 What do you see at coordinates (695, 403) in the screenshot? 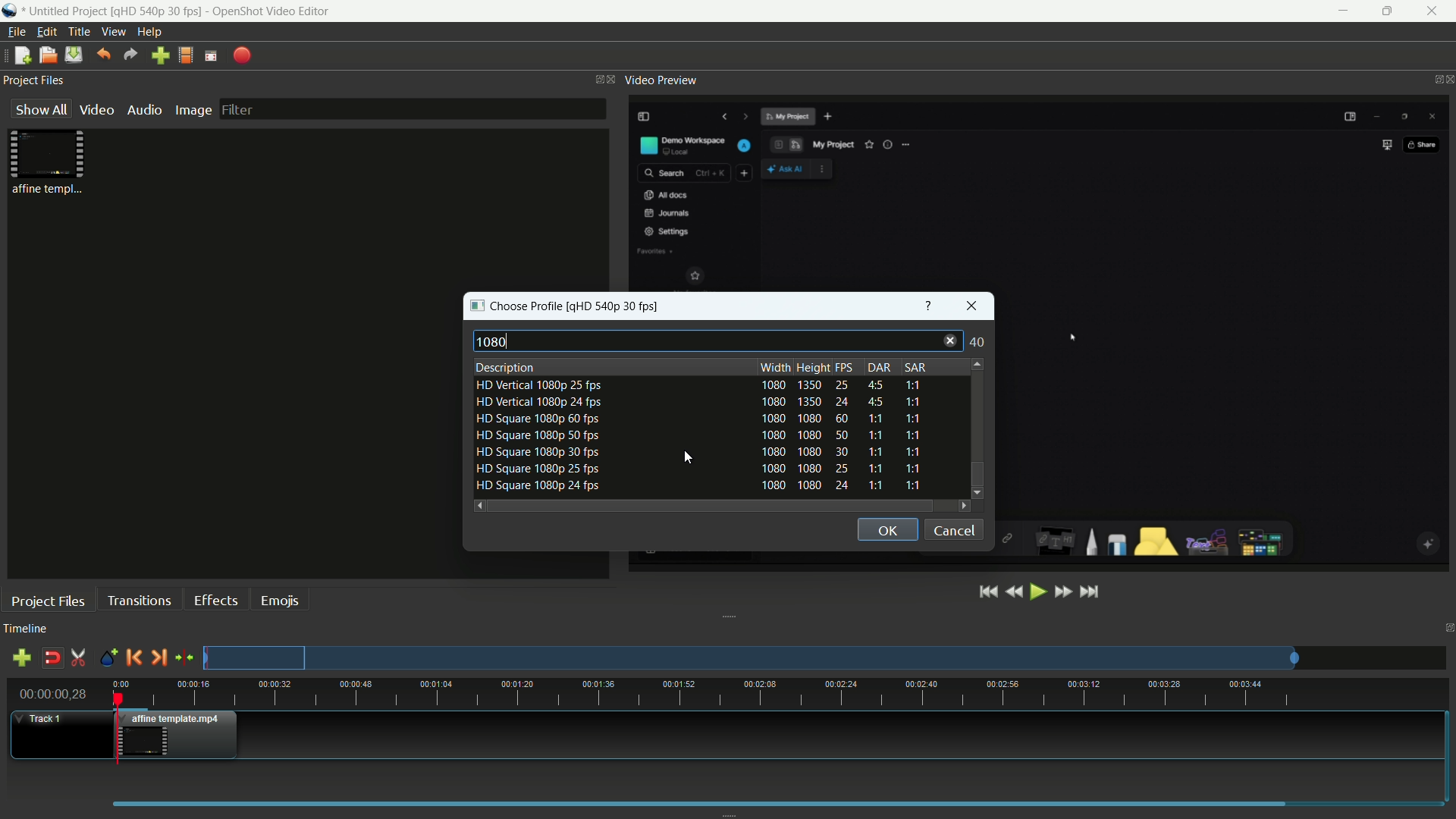
I see `profile-2` at bounding box center [695, 403].